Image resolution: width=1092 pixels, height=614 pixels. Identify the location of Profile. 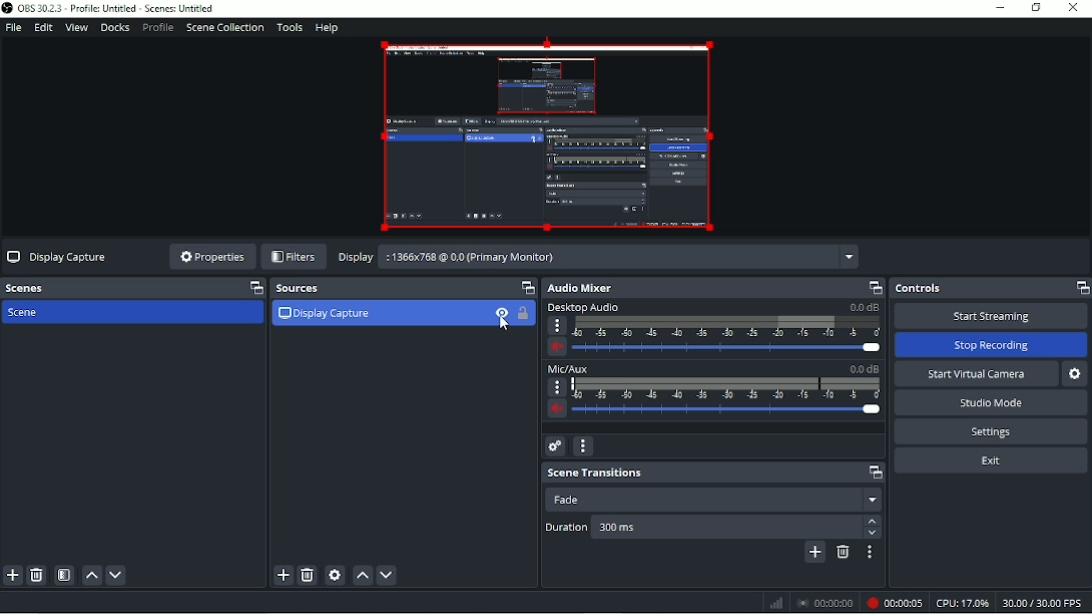
(157, 29).